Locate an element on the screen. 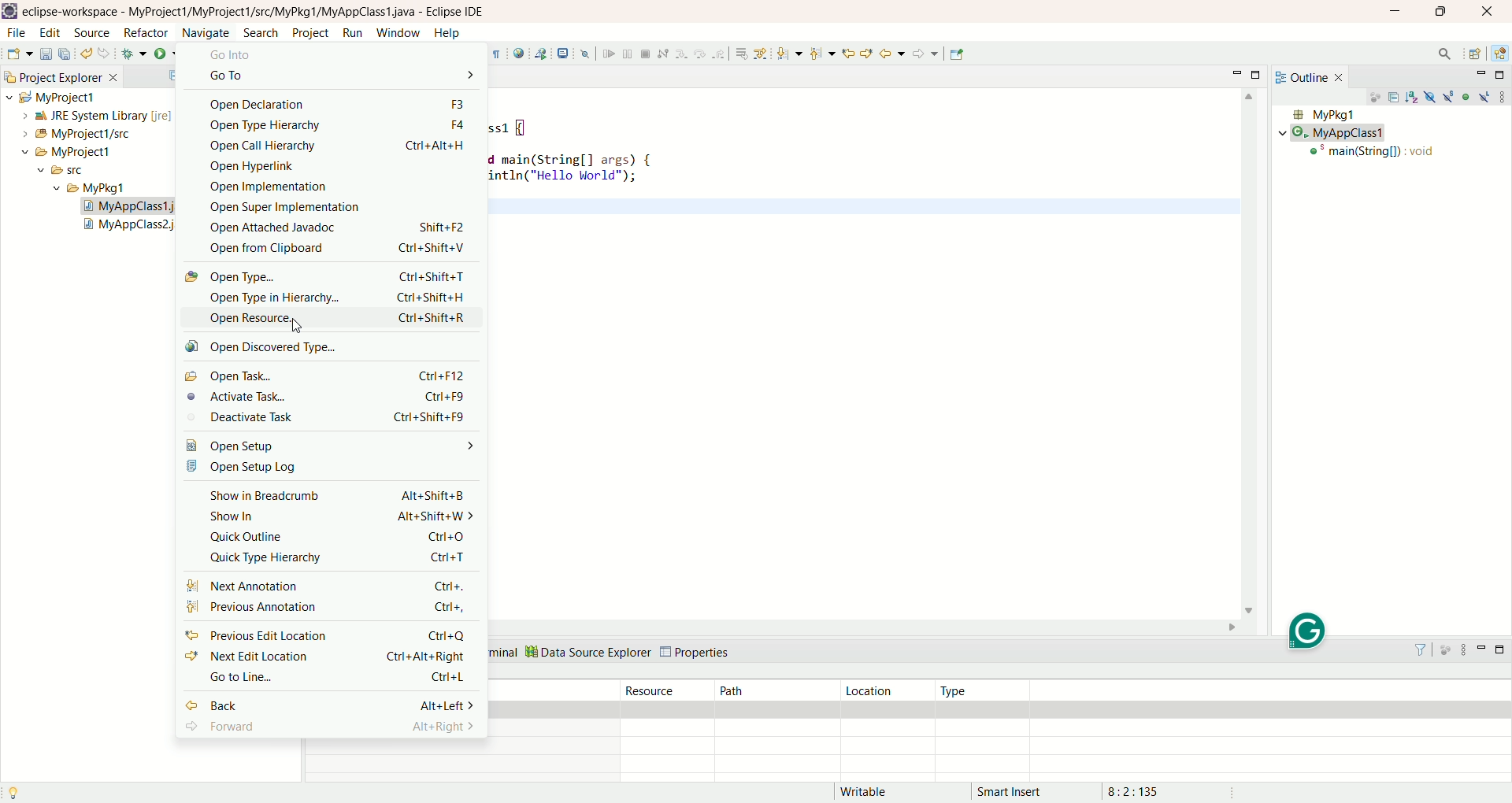  Myproject1 is located at coordinates (57, 152).